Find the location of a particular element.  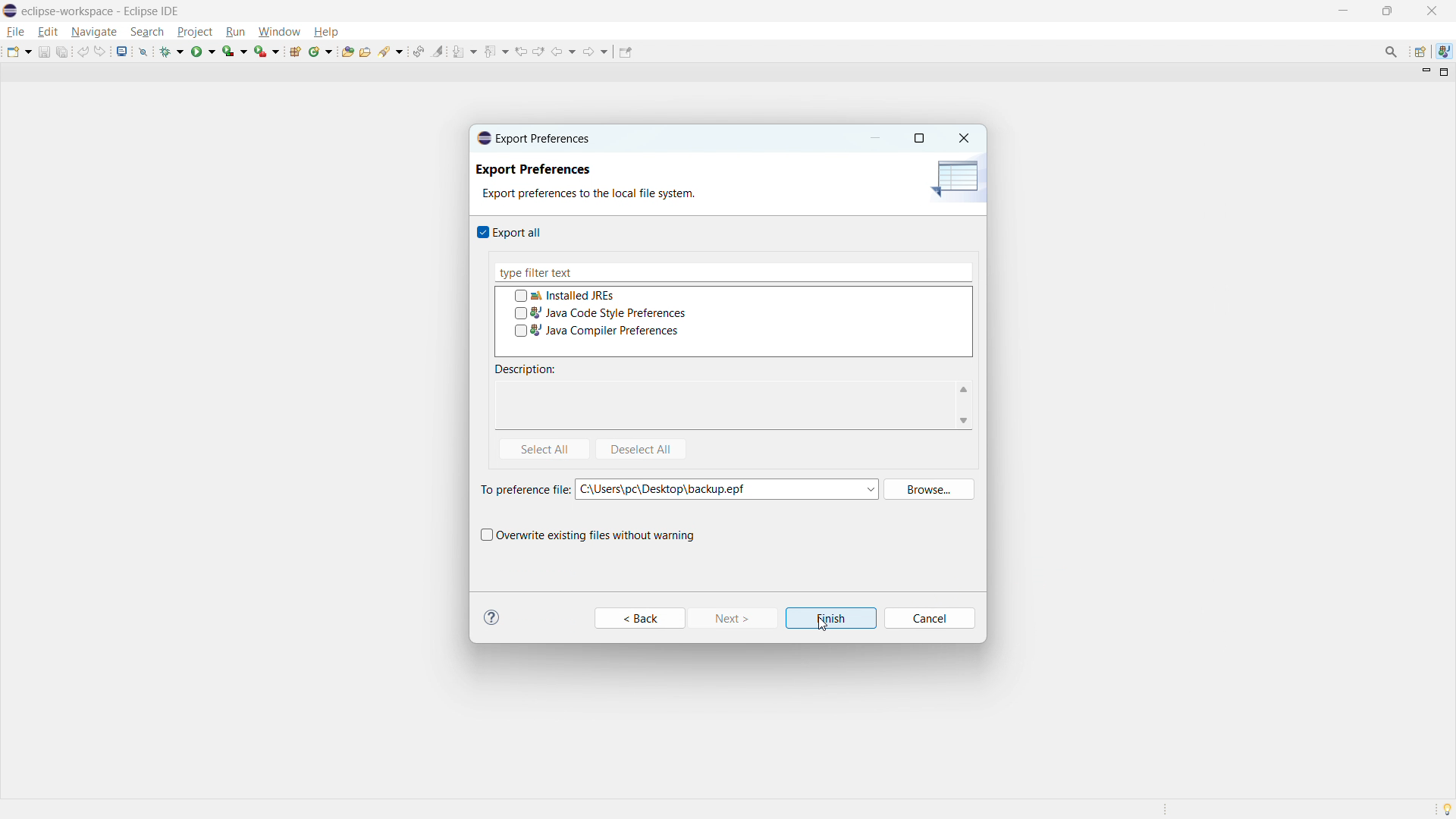

type filter text is located at coordinates (732, 273).